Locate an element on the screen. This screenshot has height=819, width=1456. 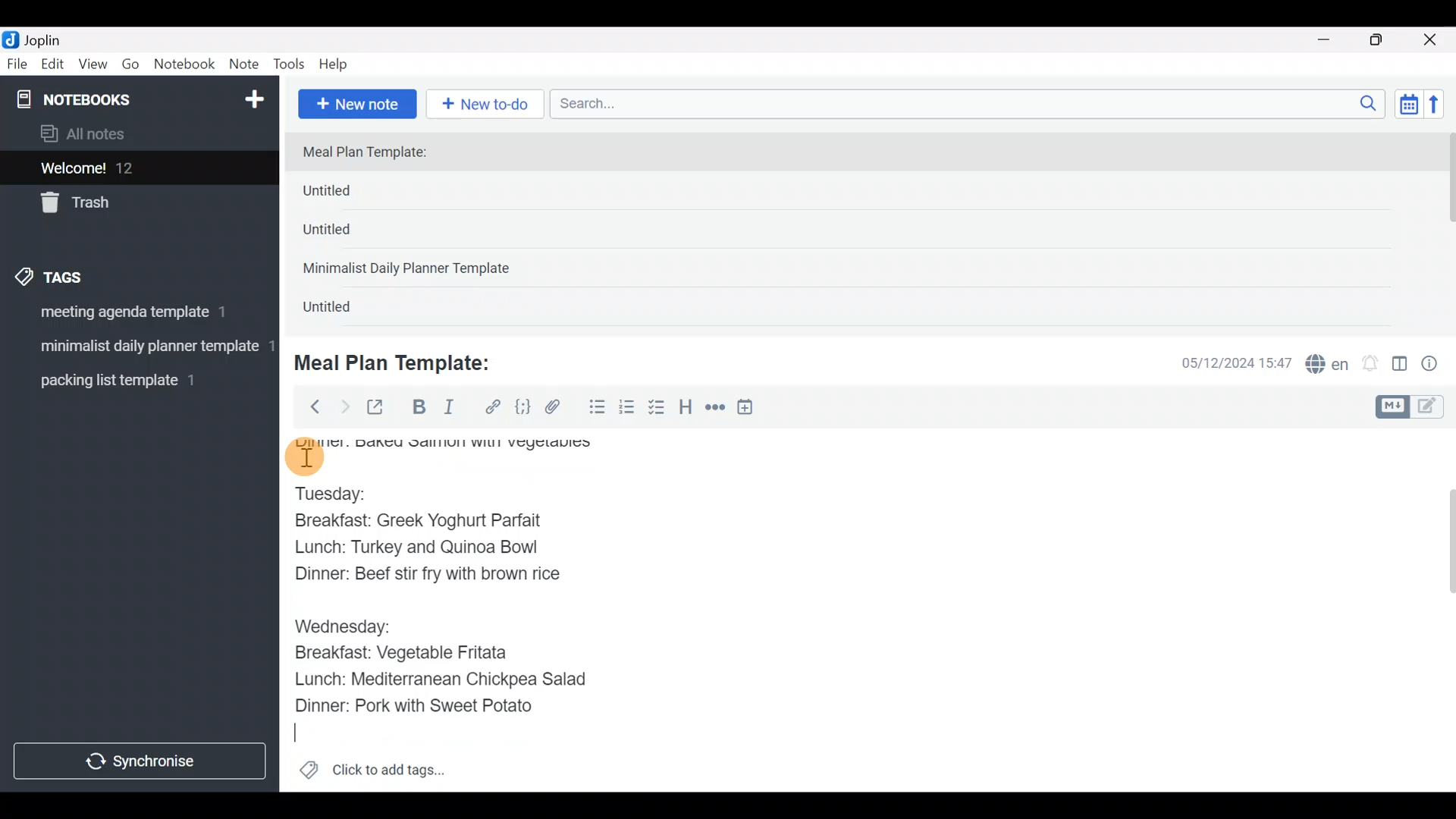
Edit is located at coordinates (53, 67).